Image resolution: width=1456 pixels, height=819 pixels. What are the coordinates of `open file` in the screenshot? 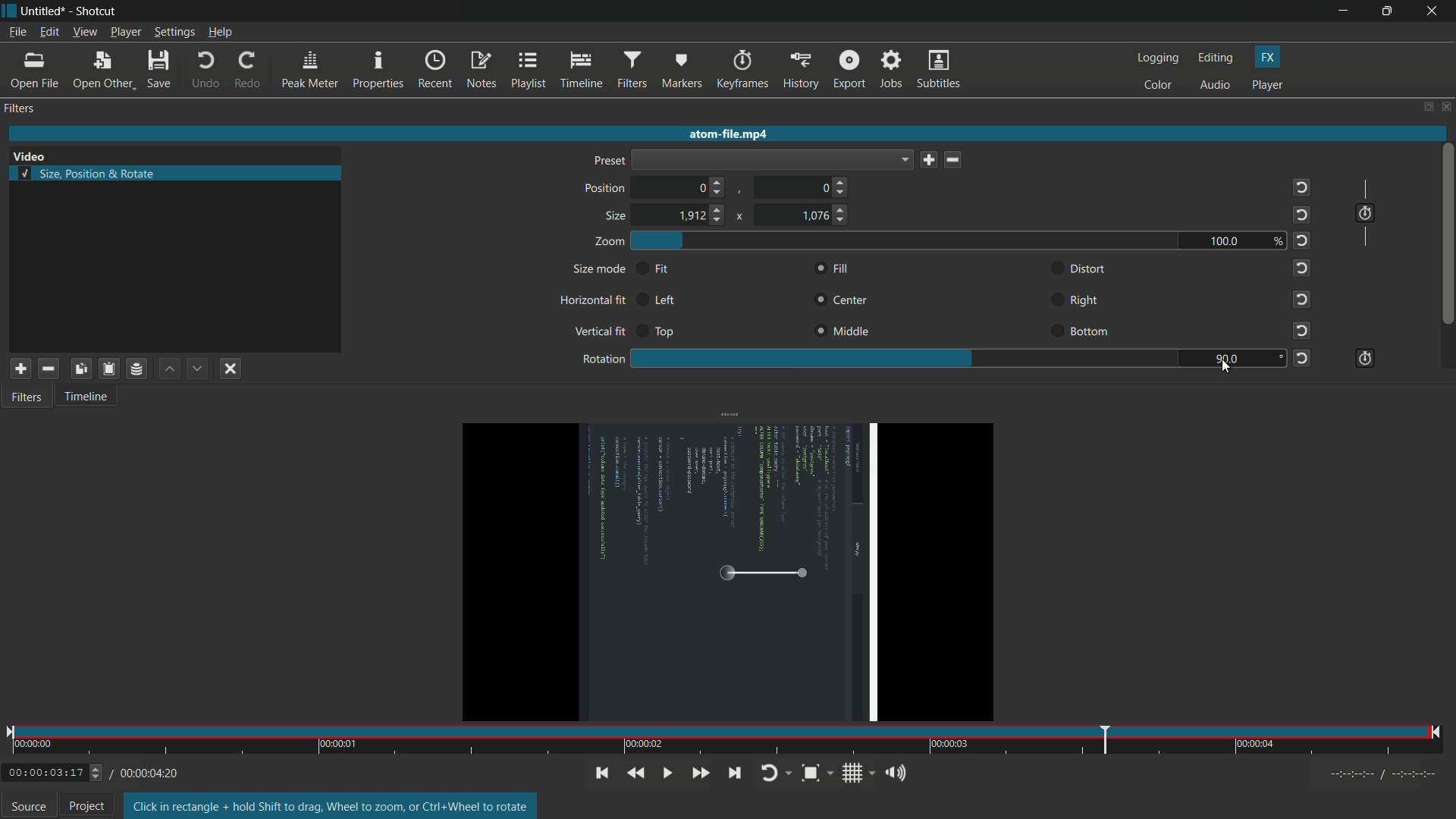 It's located at (33, 71).